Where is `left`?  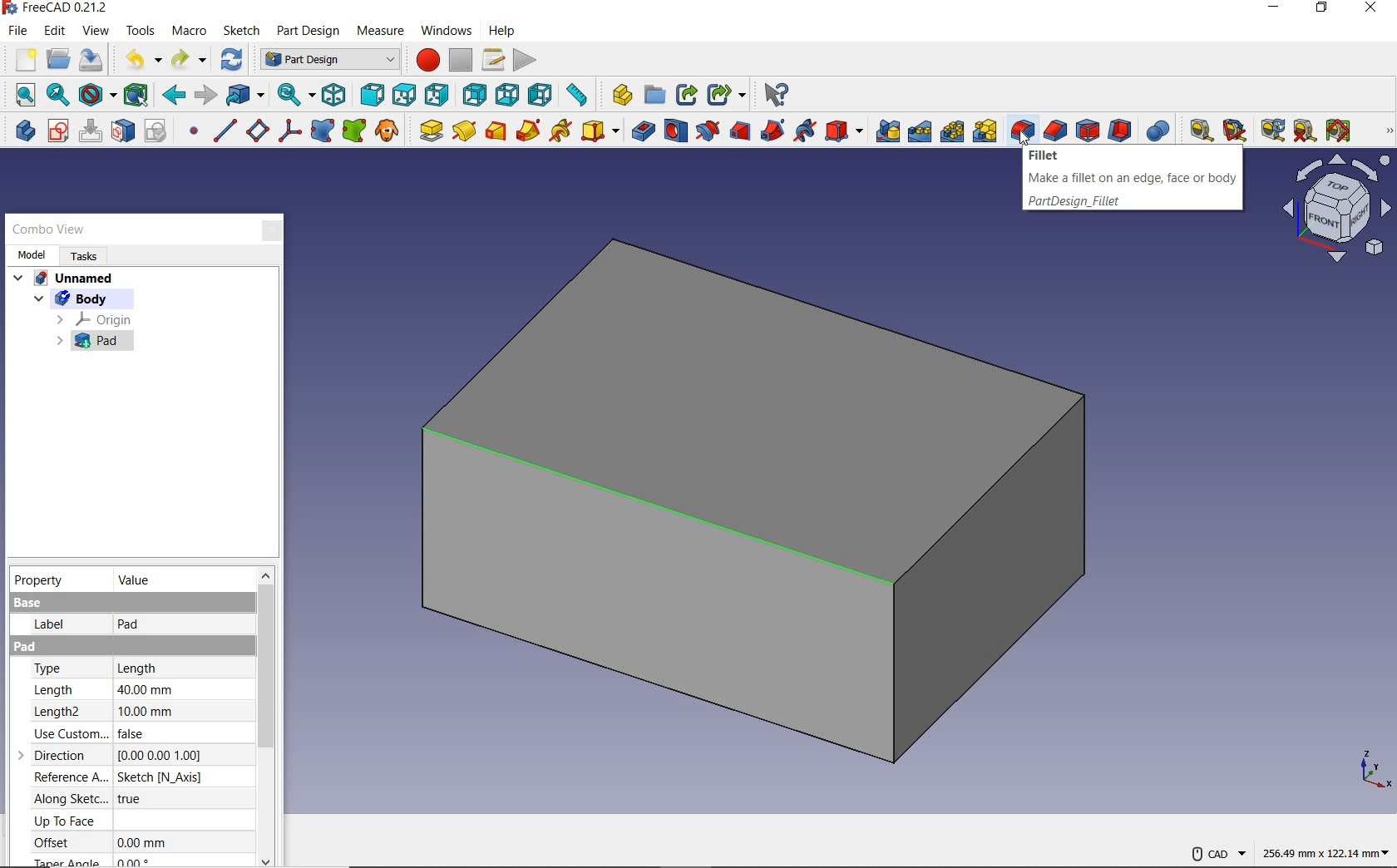 left is located at coordinates (542, 94).